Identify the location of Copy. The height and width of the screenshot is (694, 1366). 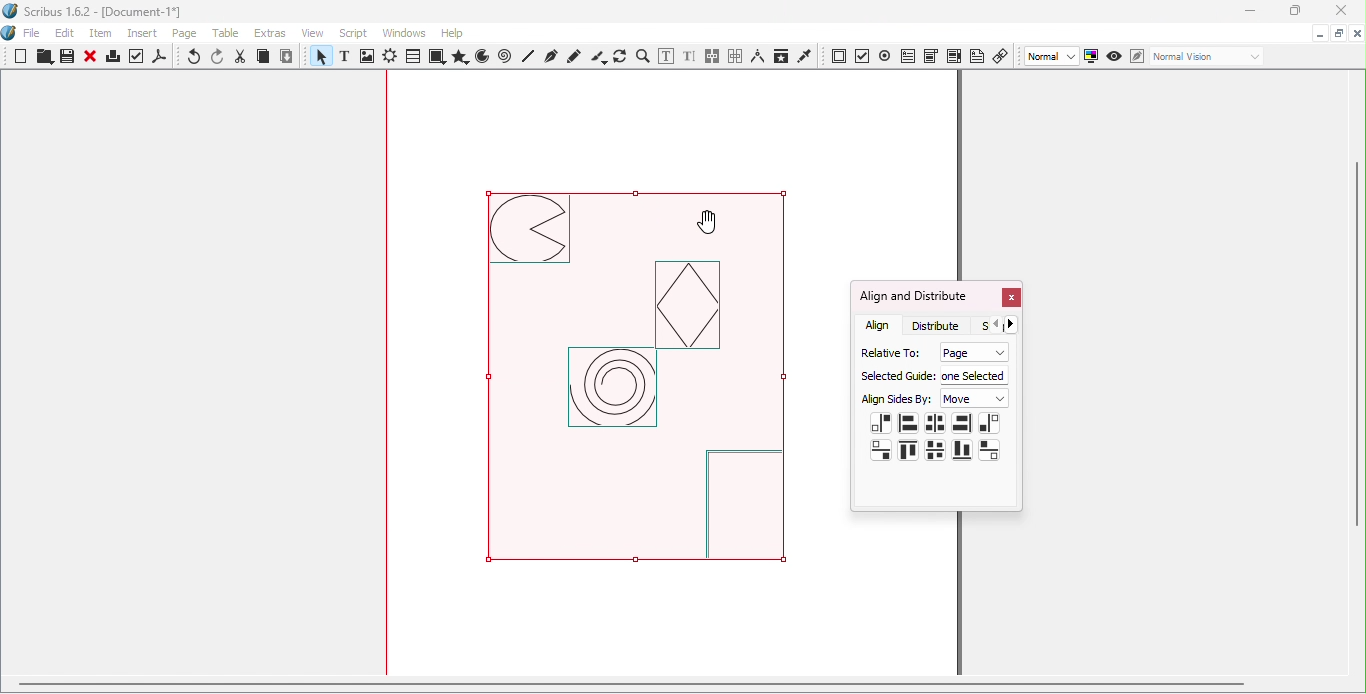
(263, 58).